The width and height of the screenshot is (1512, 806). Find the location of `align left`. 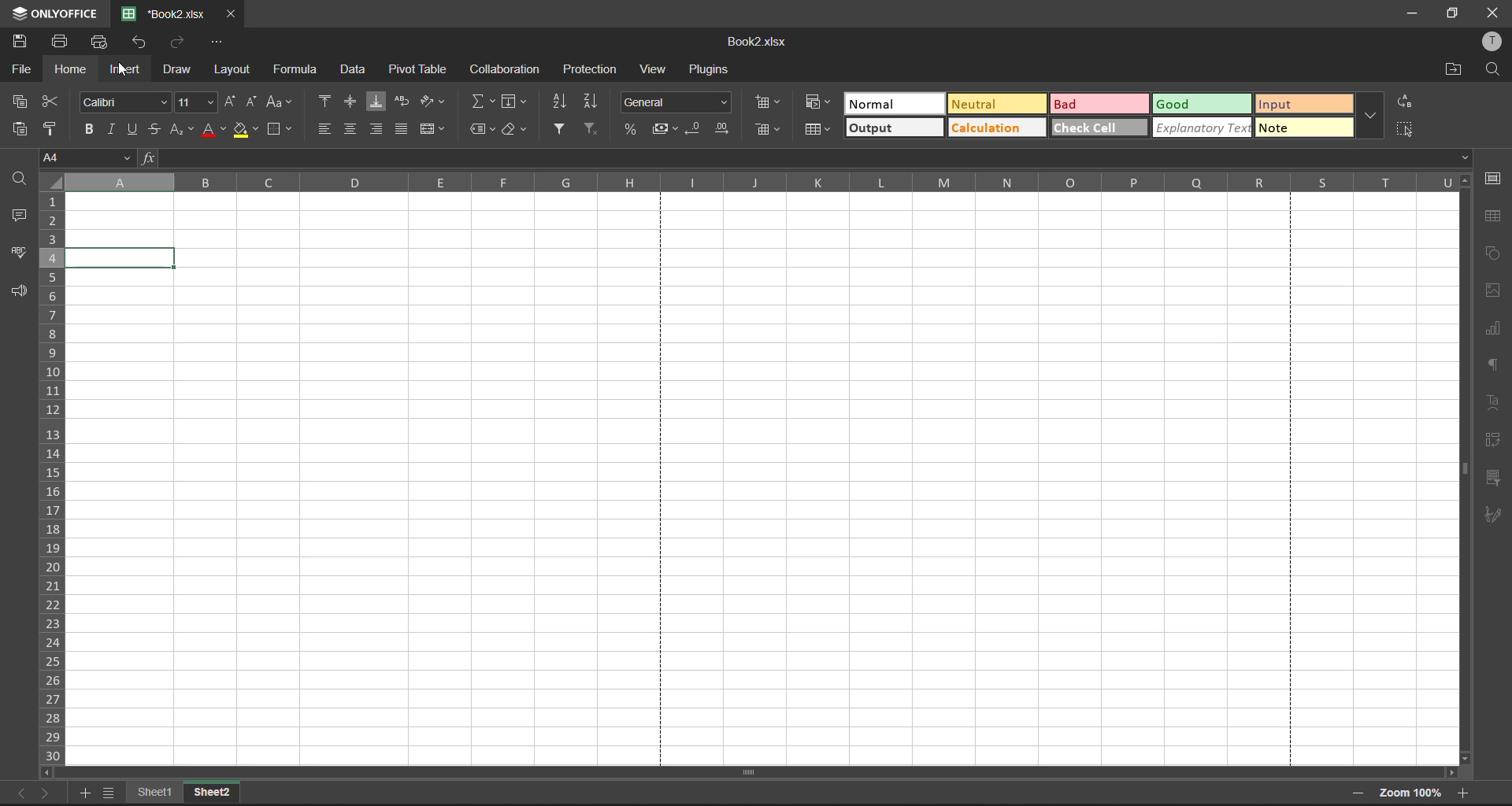

align left is located at coordinates (326, 128).